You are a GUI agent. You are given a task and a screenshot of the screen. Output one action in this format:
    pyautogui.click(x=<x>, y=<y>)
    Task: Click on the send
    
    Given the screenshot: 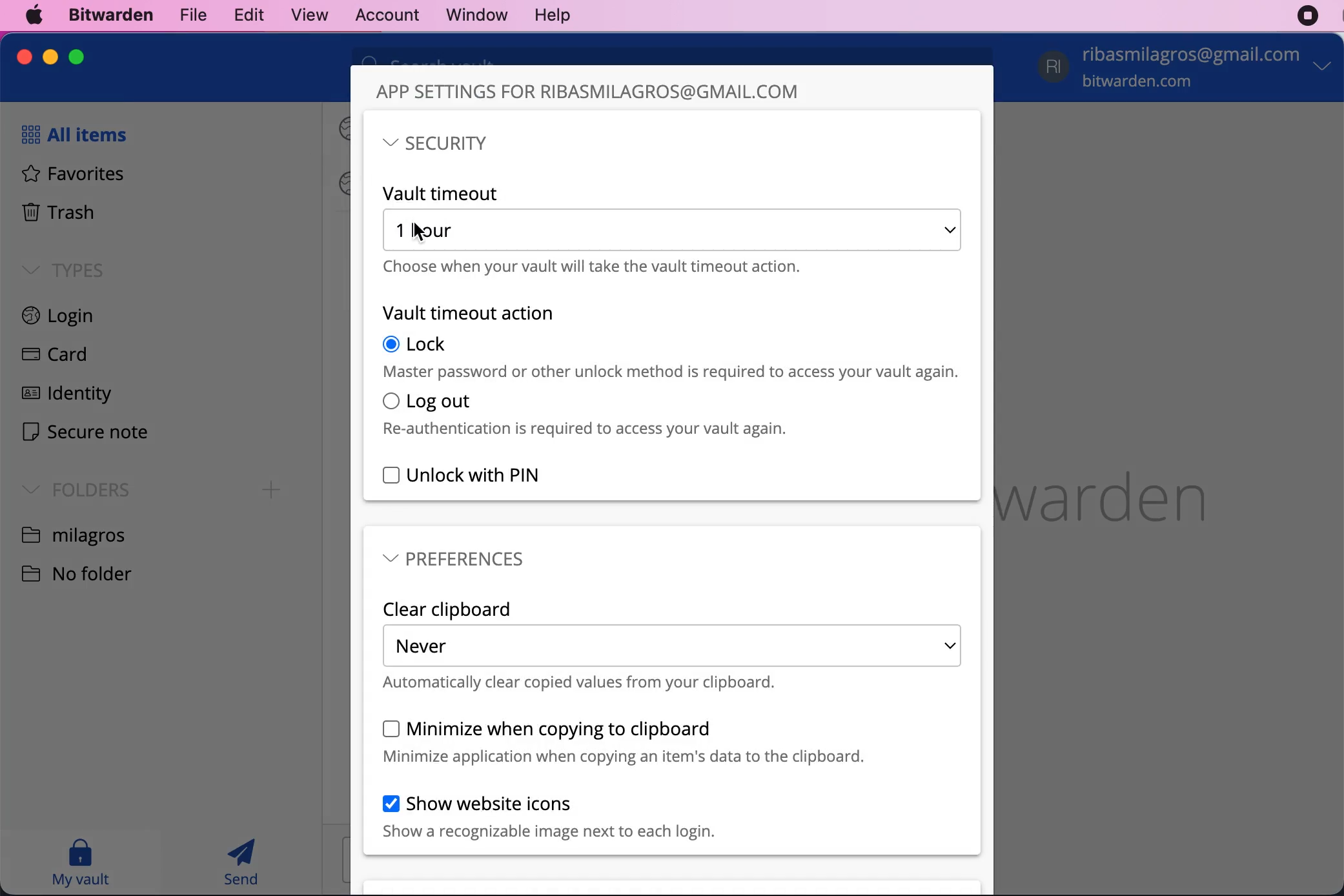 What is the action you would take?
    pyautogui.click(x=243, y=862)
    